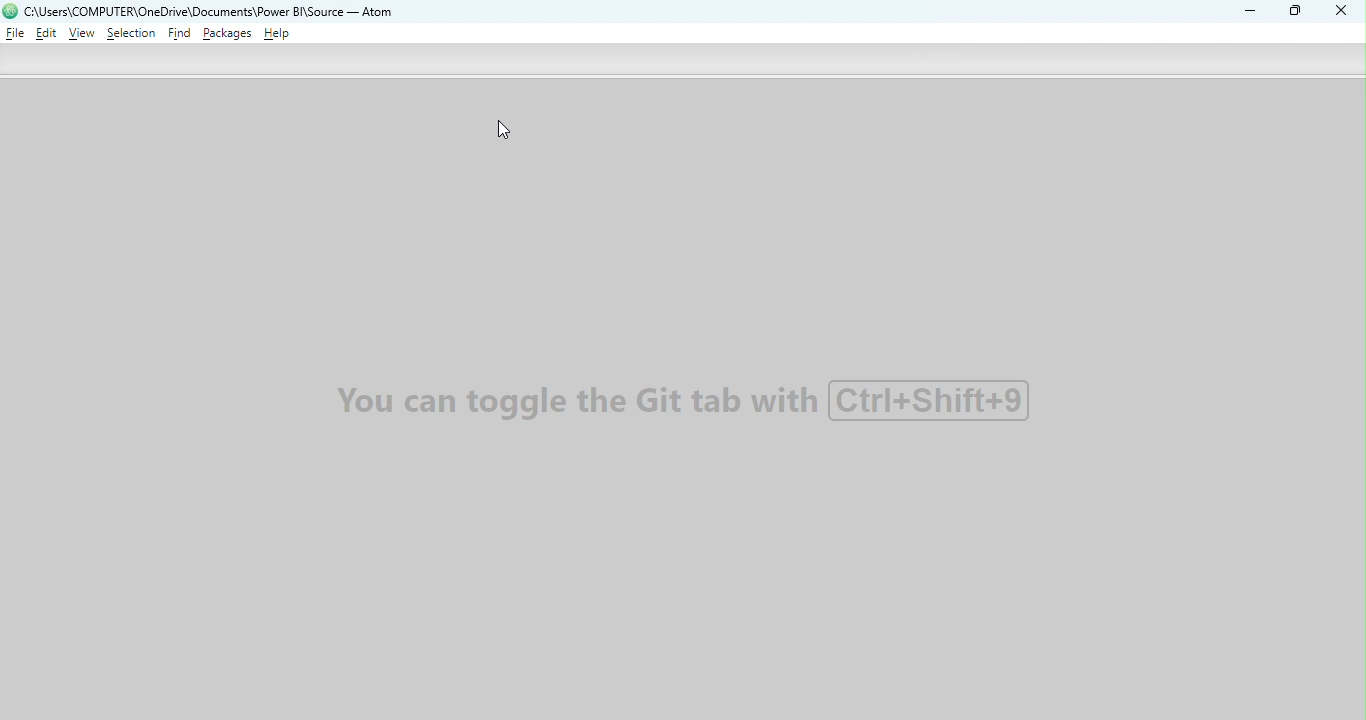  What do you see at coordinates (1337, 12) in the screenshot?
I see `close` at bounding box center [1337, 12].